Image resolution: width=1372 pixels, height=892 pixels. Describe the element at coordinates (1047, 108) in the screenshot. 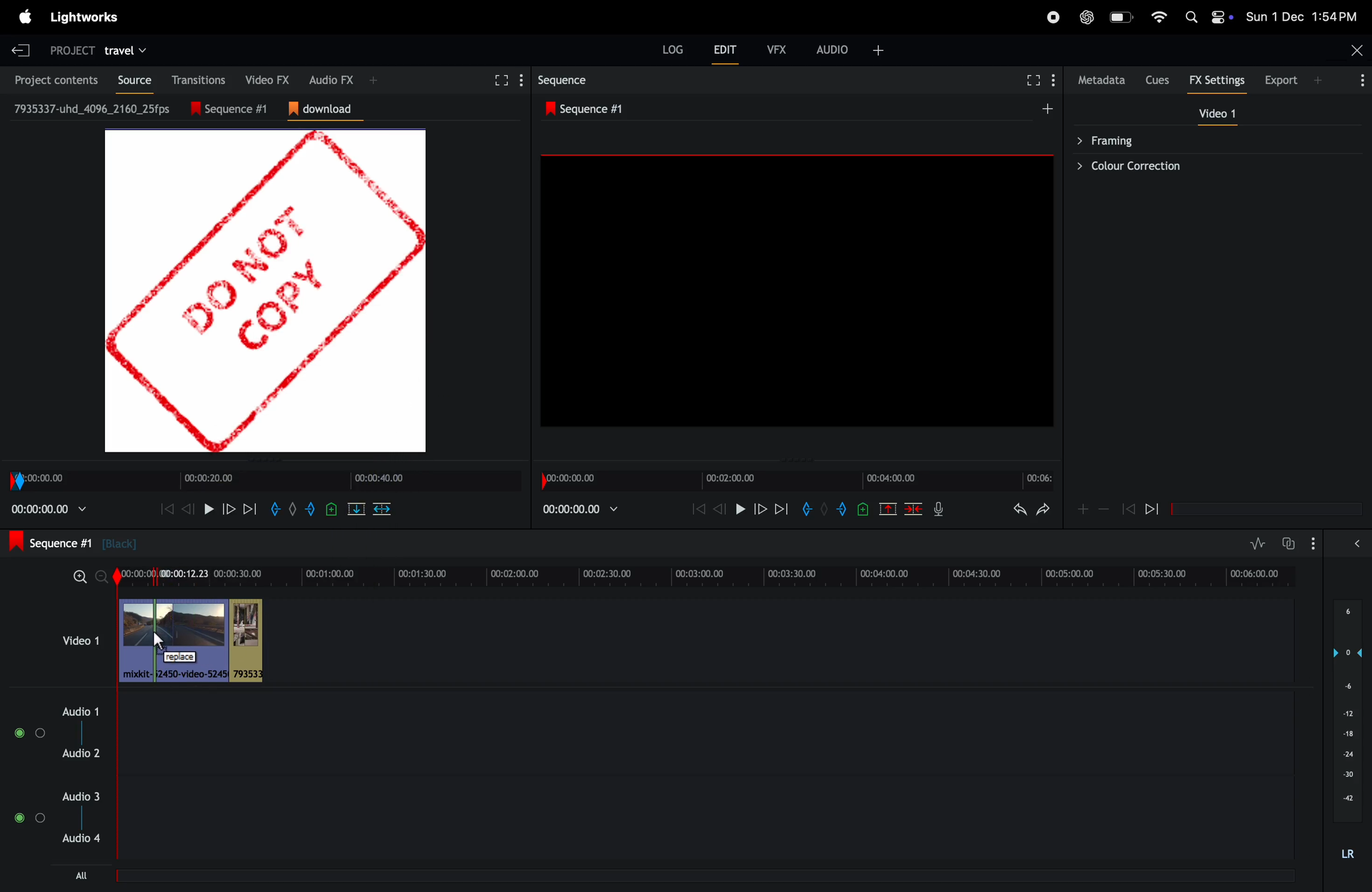

I see `Add` at that location.